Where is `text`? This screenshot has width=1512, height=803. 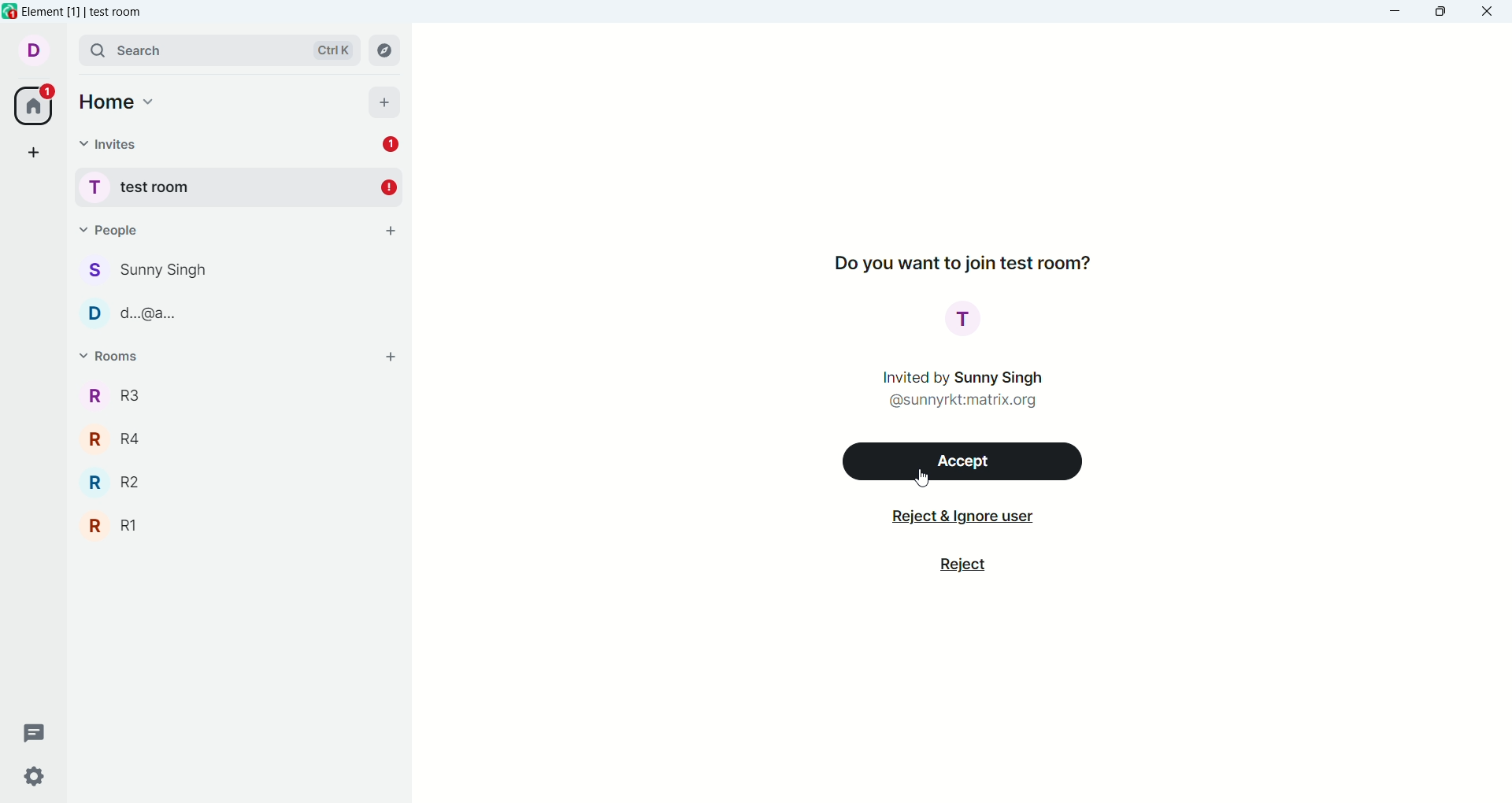
text is located at coordinates (962, 387).